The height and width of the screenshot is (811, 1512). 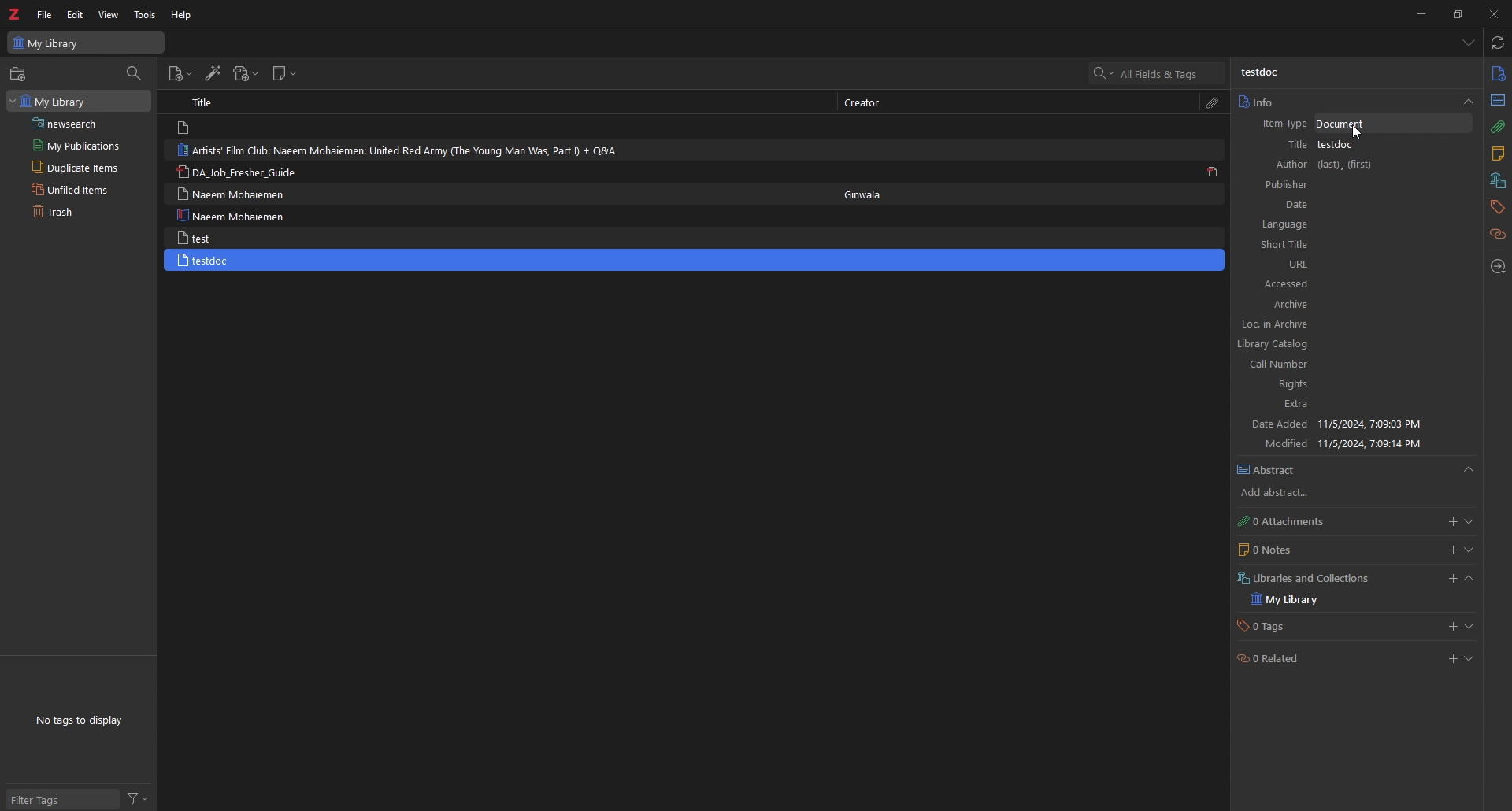 What do you see at coordinates (1469, 658) in the screenshot?
I see `show` at bounding box center [1469, 658].